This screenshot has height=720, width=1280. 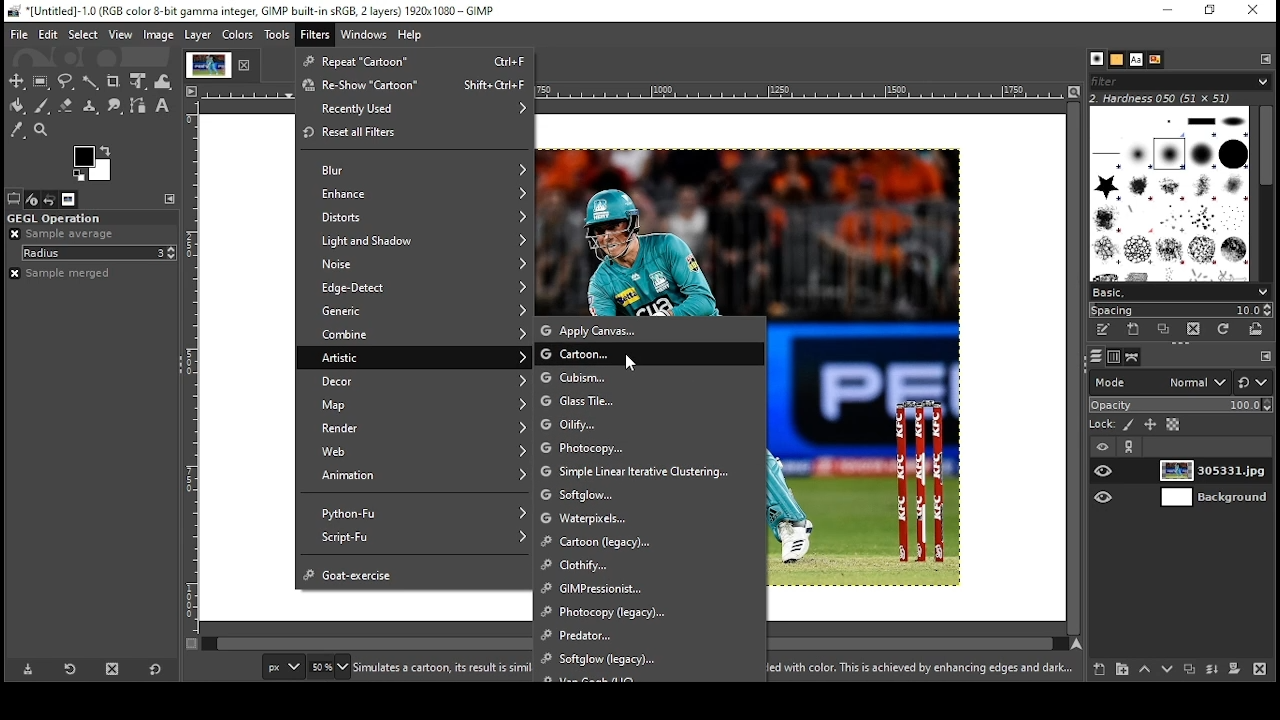 What do you see at coordinates (17, 81) in the screenshot?
I see `select tool` at bounding box center [17, 81].